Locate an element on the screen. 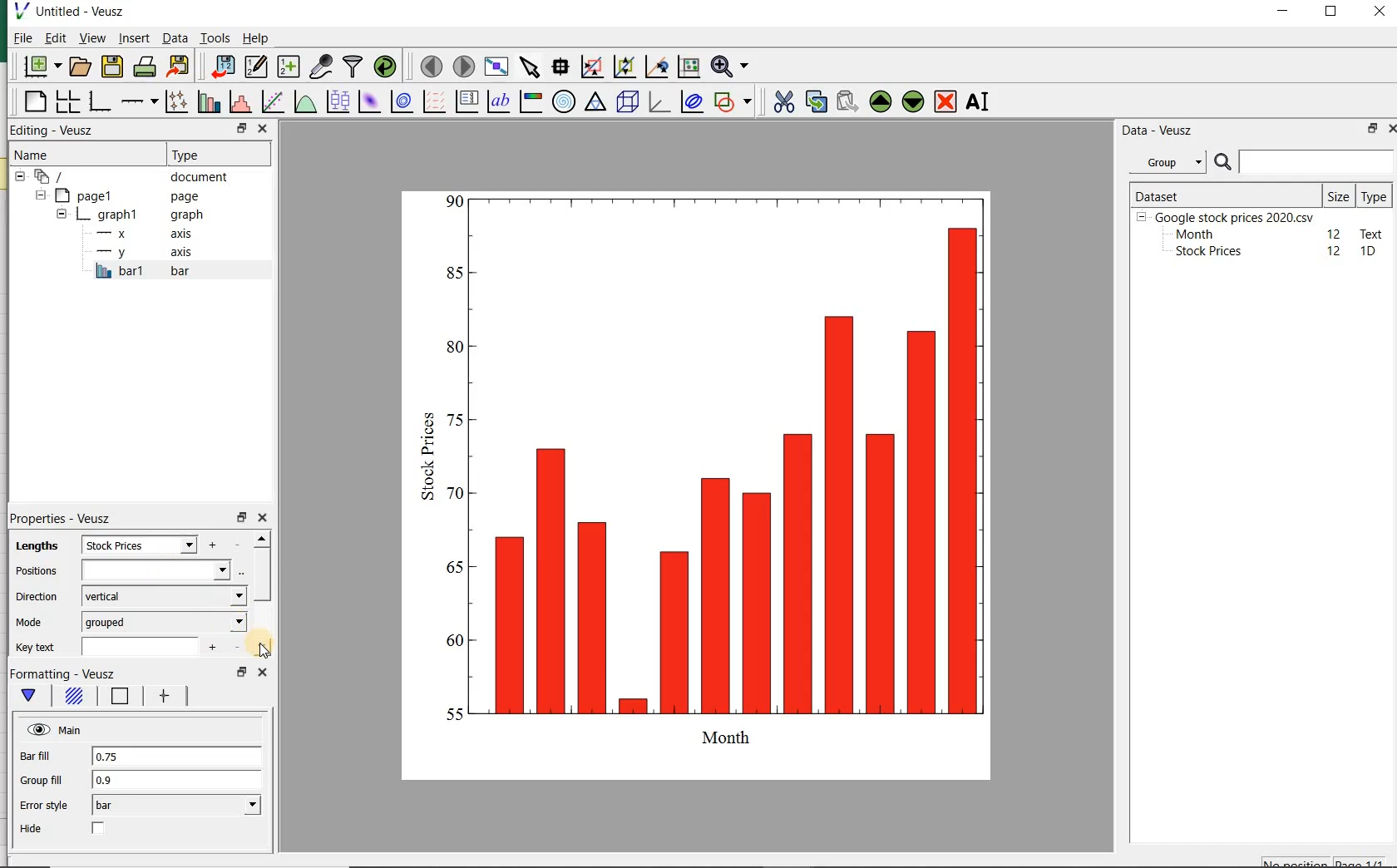 The width and height of the screenshot is (1397, 868). restore is located at coordinates (1370, 130).